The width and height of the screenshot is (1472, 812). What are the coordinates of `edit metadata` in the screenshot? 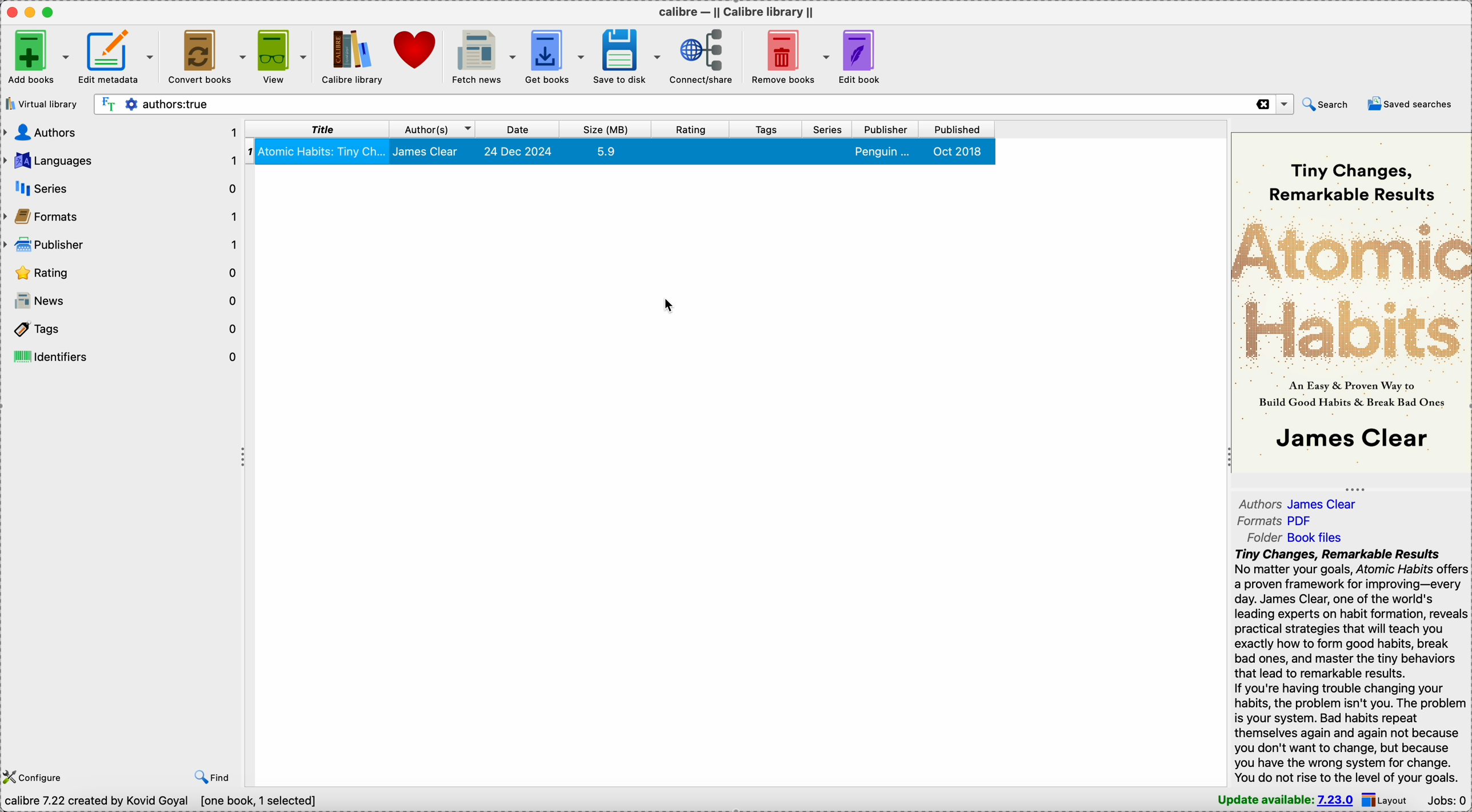 It's located at (116, 55).